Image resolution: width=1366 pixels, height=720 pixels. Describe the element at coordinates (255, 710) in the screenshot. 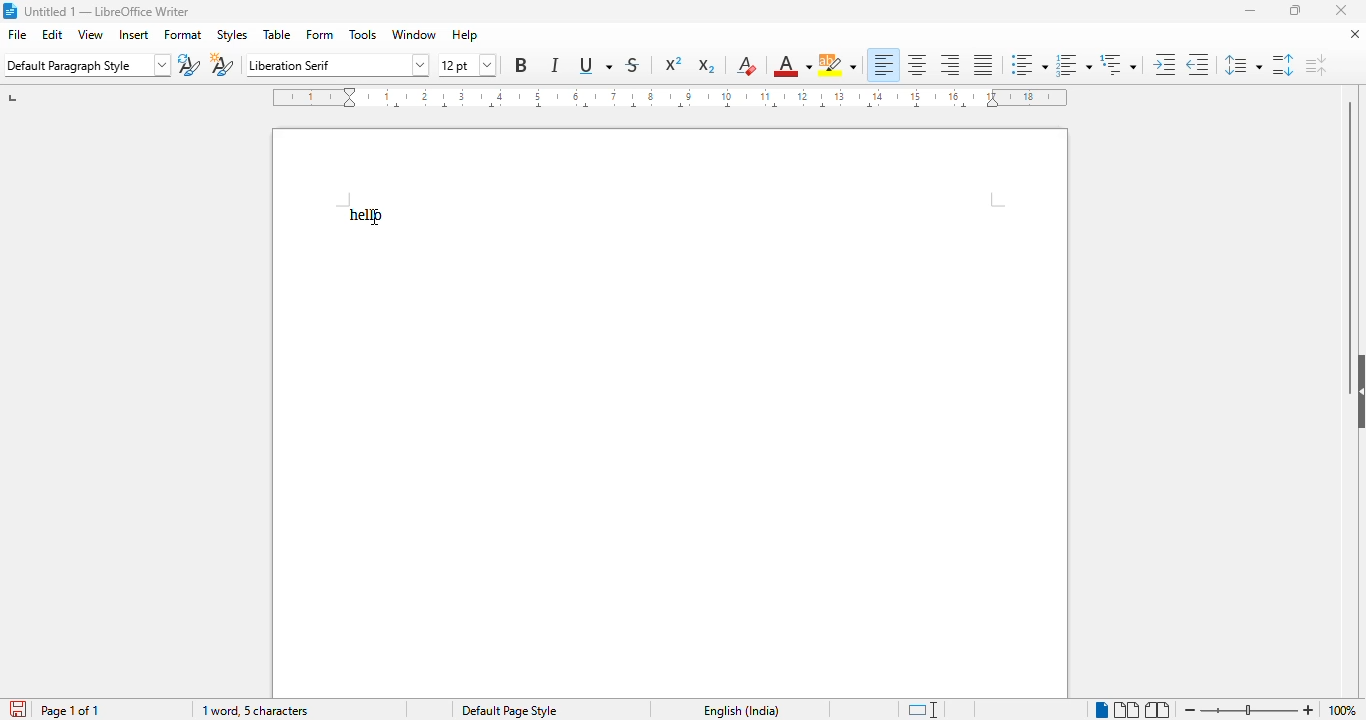

I see `1 word, 5 characters` at that location.